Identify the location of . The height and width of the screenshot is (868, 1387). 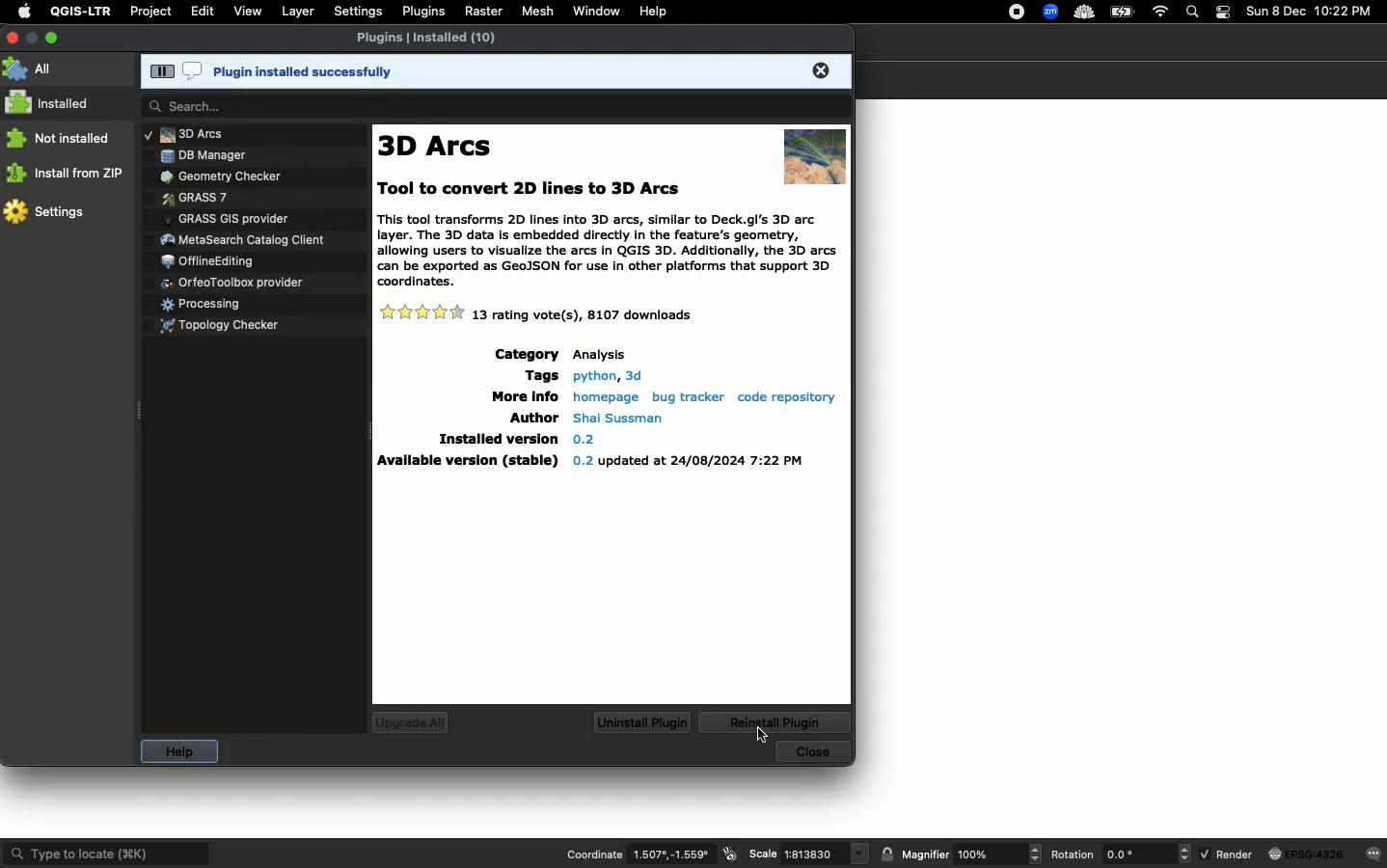
(632, 374).